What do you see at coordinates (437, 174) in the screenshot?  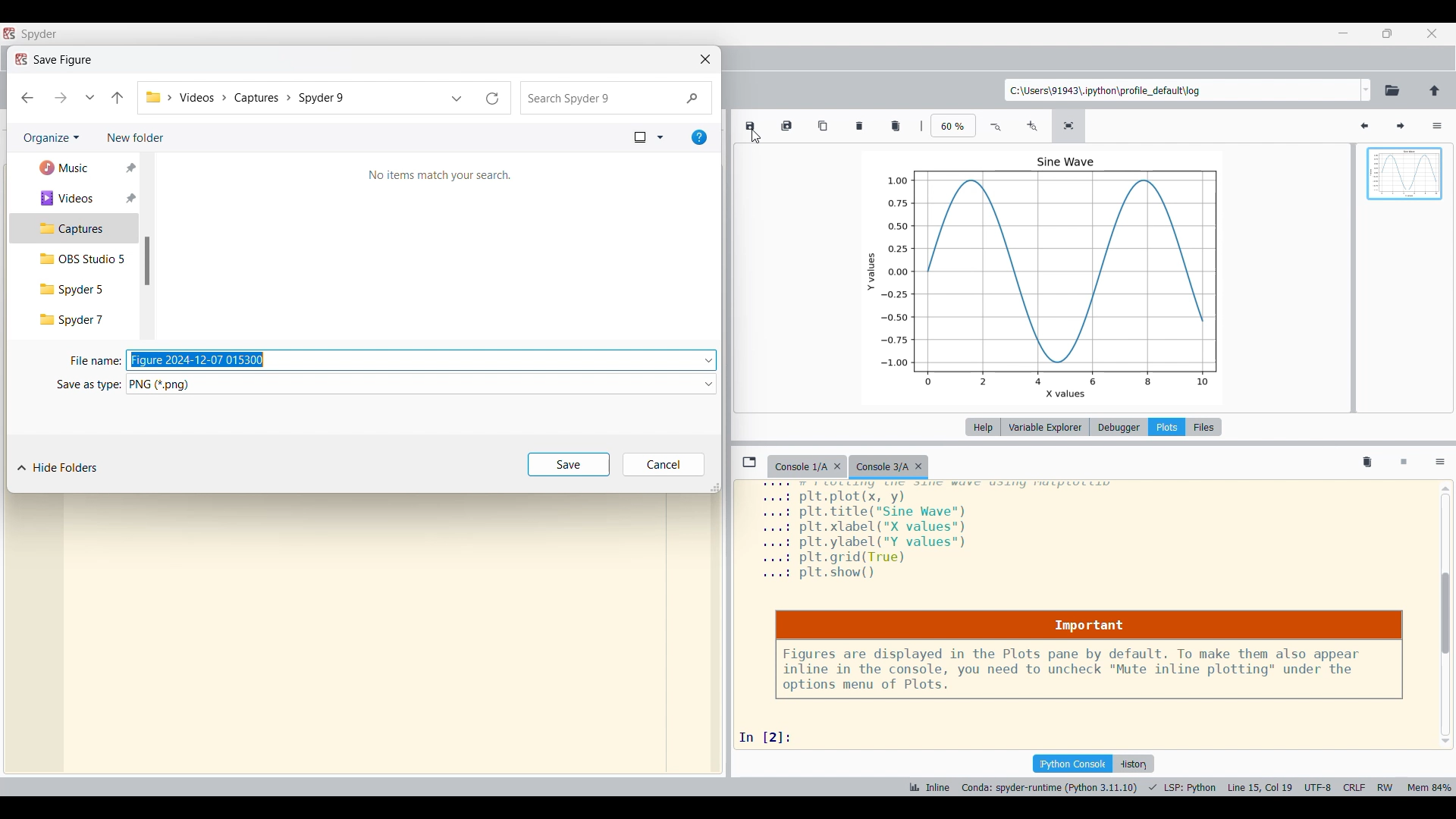 I see `Description of current folder` at bounding box center [437, 174].